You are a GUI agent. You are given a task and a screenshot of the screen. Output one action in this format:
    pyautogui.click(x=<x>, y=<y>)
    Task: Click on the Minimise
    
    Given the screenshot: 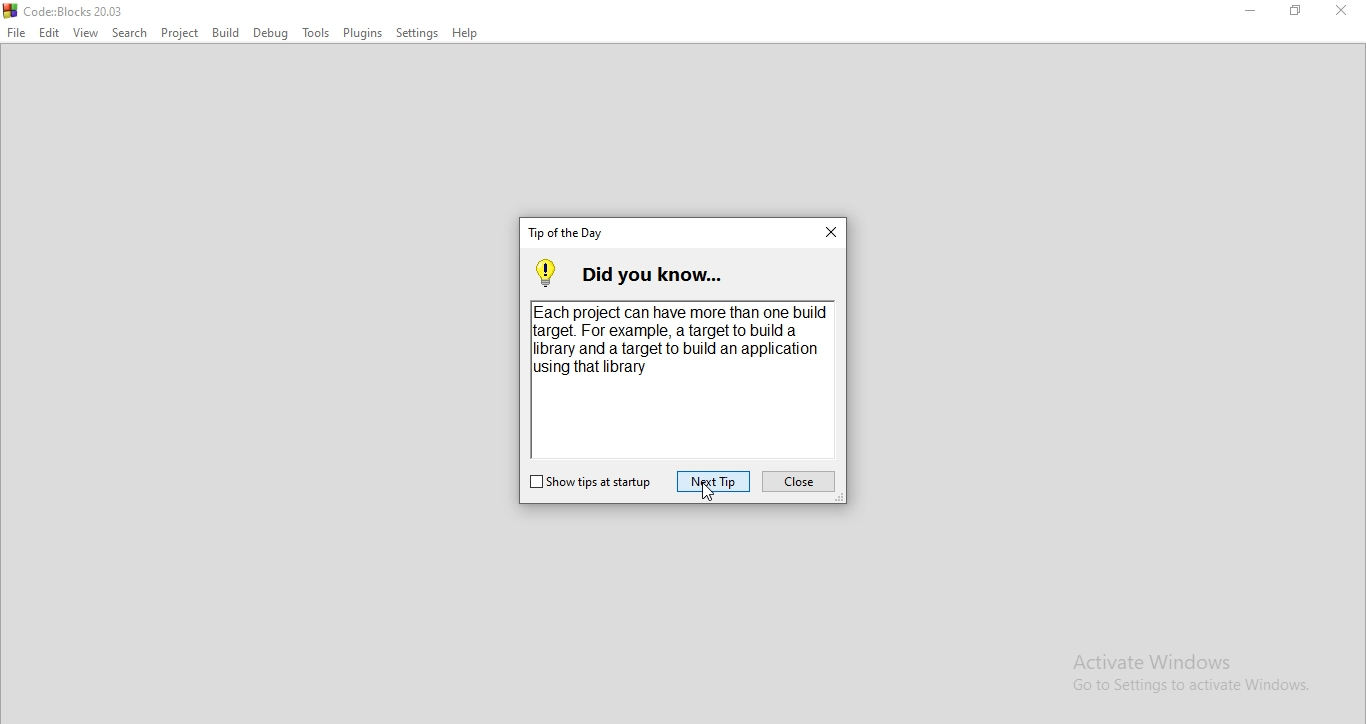 What is the action you would take?
    pyautogui.click(x=1248, y=10)
    